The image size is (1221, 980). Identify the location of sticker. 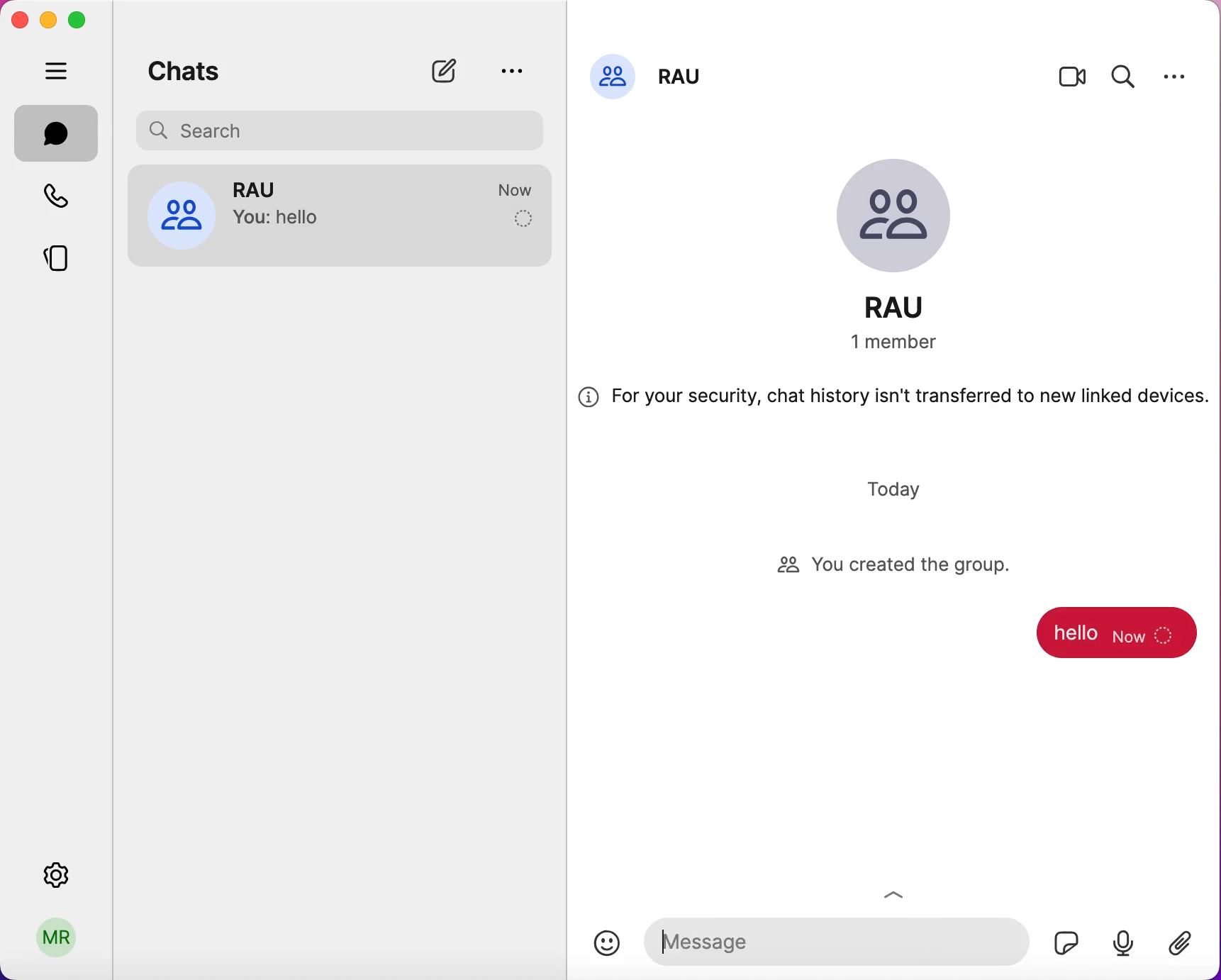
(1061, 939).